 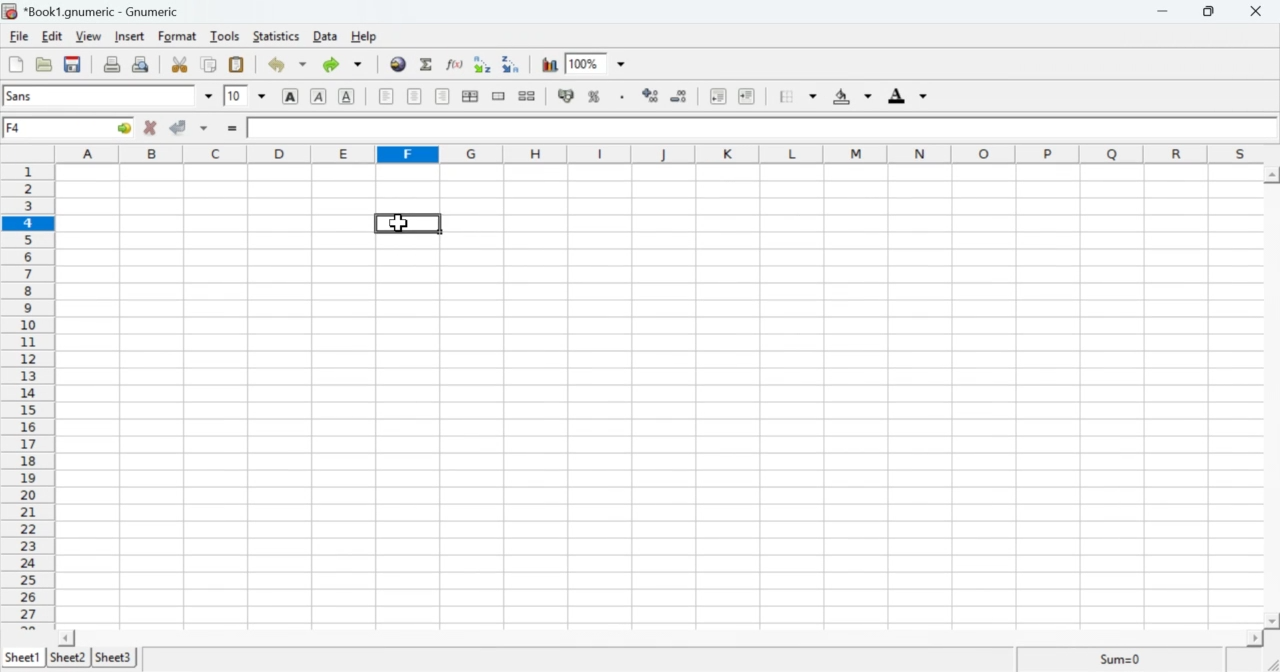 I want to click on Insert, so click(x=131, y=37).